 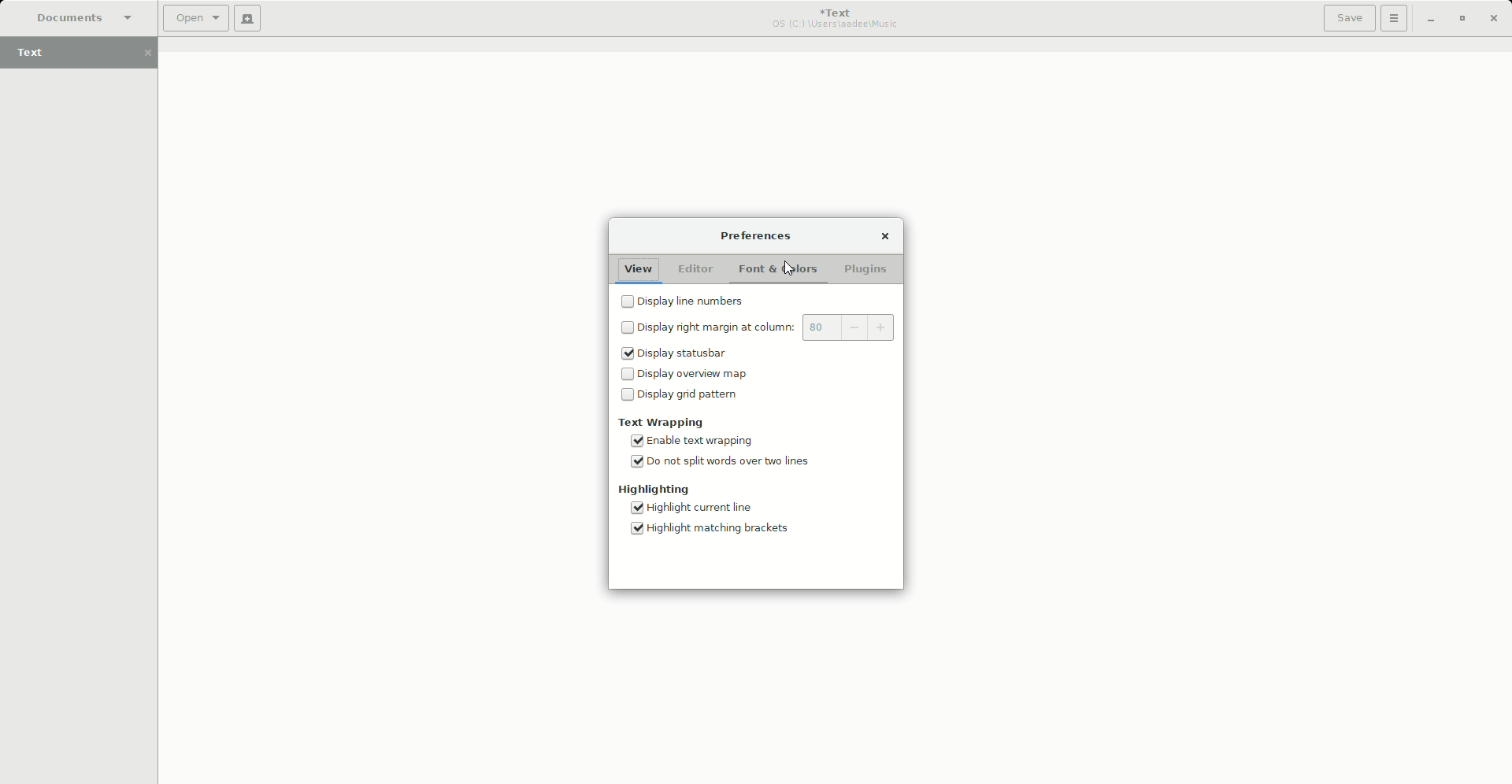 What do you see at coordinates (716, 527) in the screenshot?
I see `Highlight matching brackets` at bounding box center [716, 527].